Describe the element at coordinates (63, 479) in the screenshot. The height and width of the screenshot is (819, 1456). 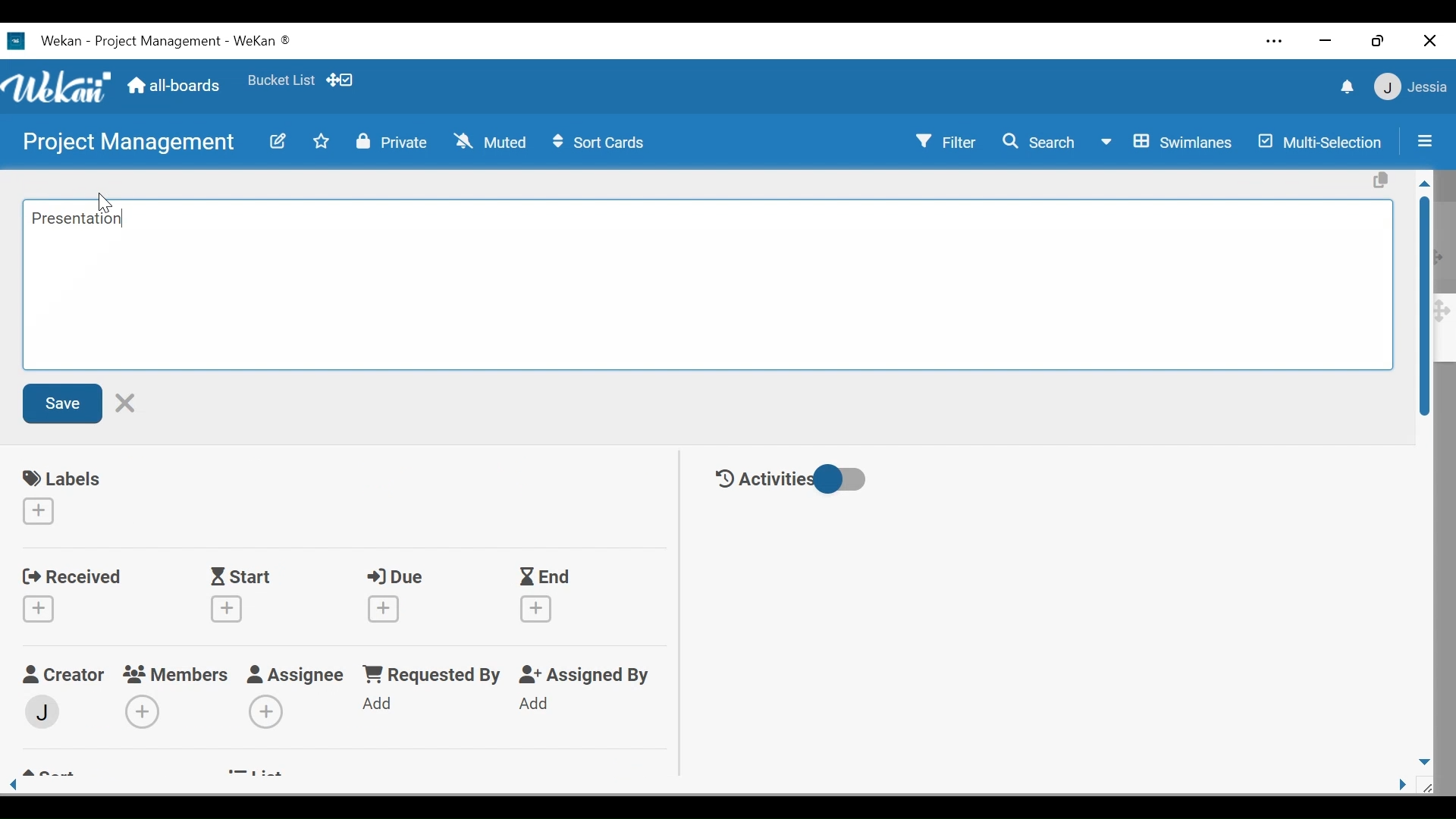
I see `labels` at that location.